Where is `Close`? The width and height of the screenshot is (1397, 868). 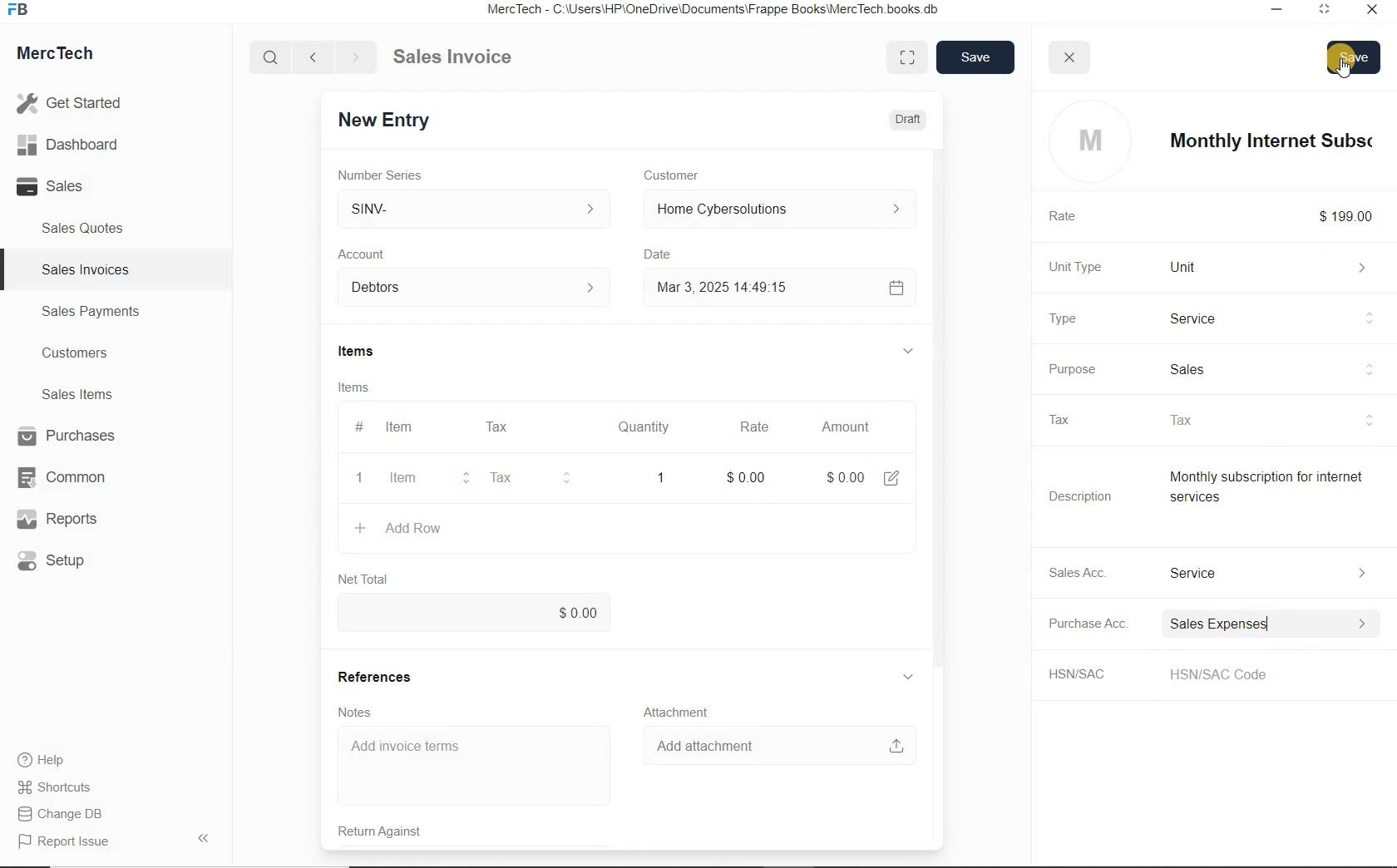
Close is located at coordinates (1359, 12).